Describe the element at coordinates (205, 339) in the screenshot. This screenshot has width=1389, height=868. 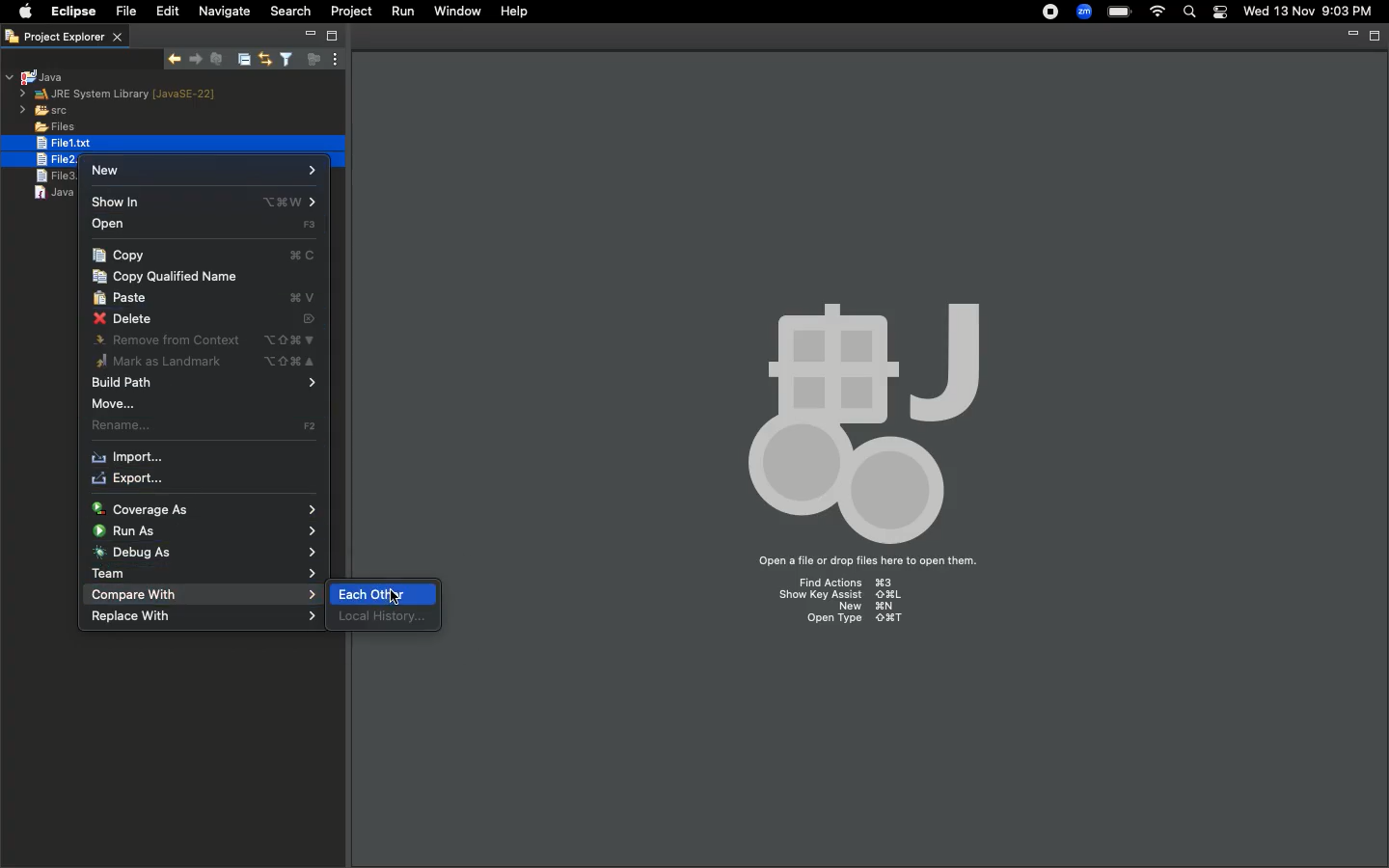
I see `Remove from context` at that location.